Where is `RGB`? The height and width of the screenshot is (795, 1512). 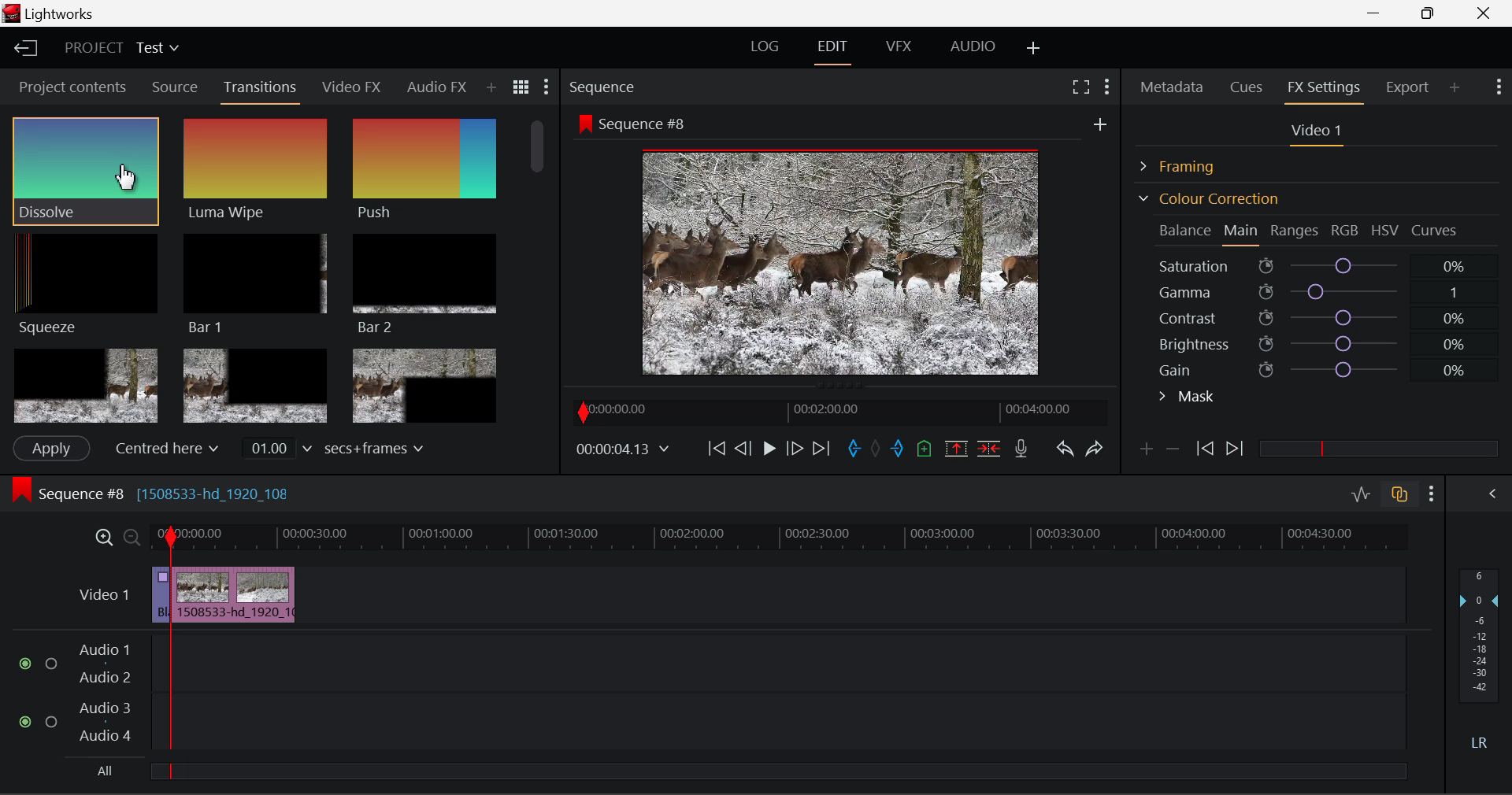
RGB is located at coordinates (1346, 231).